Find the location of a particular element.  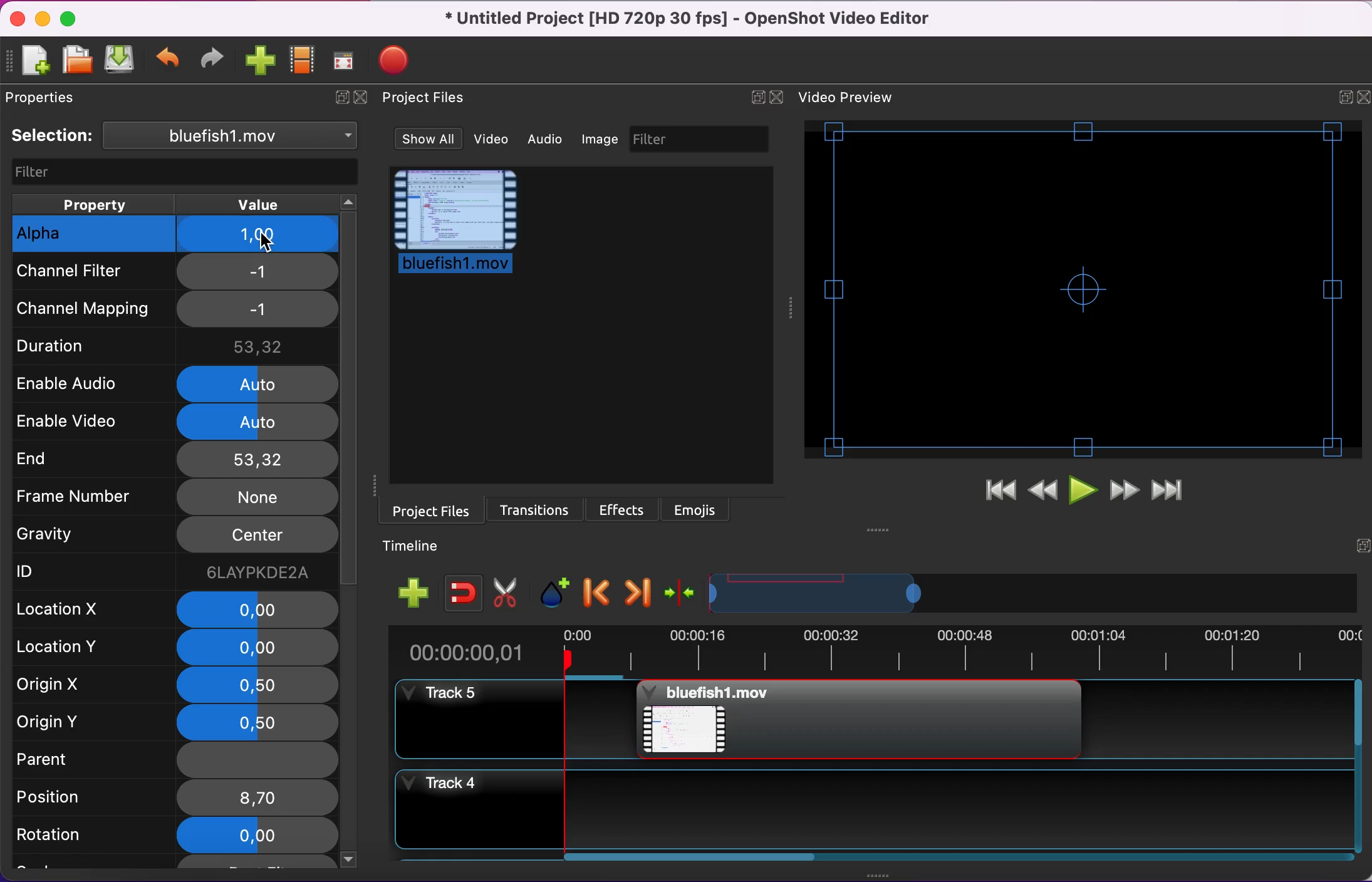

channel mapping is located at coordinates (93, 308).